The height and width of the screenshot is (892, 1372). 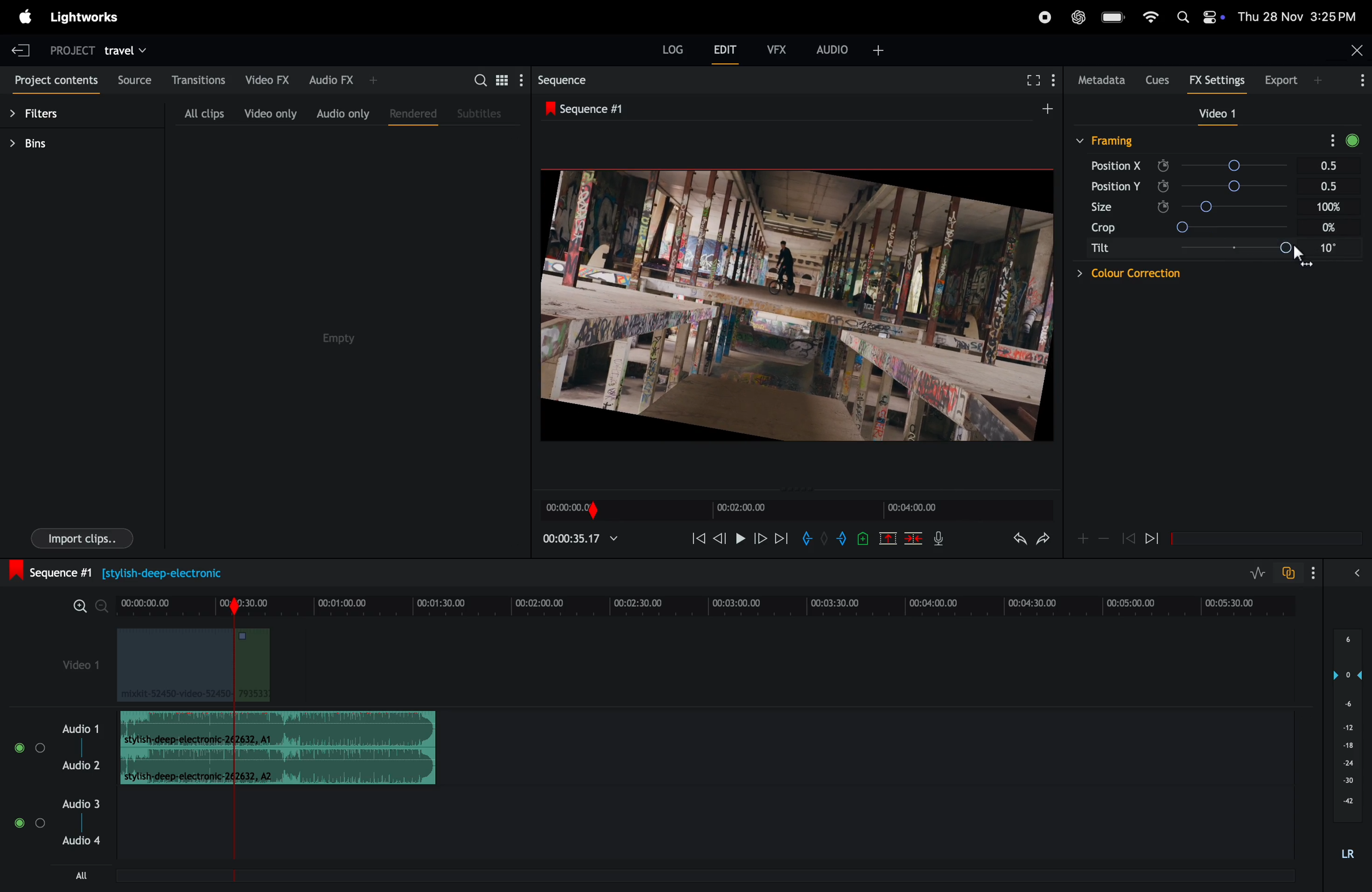 What do you see at coordinates (1320, 81) in the screenshot?
I see `Add panel` at bounding box center [1320, 81].